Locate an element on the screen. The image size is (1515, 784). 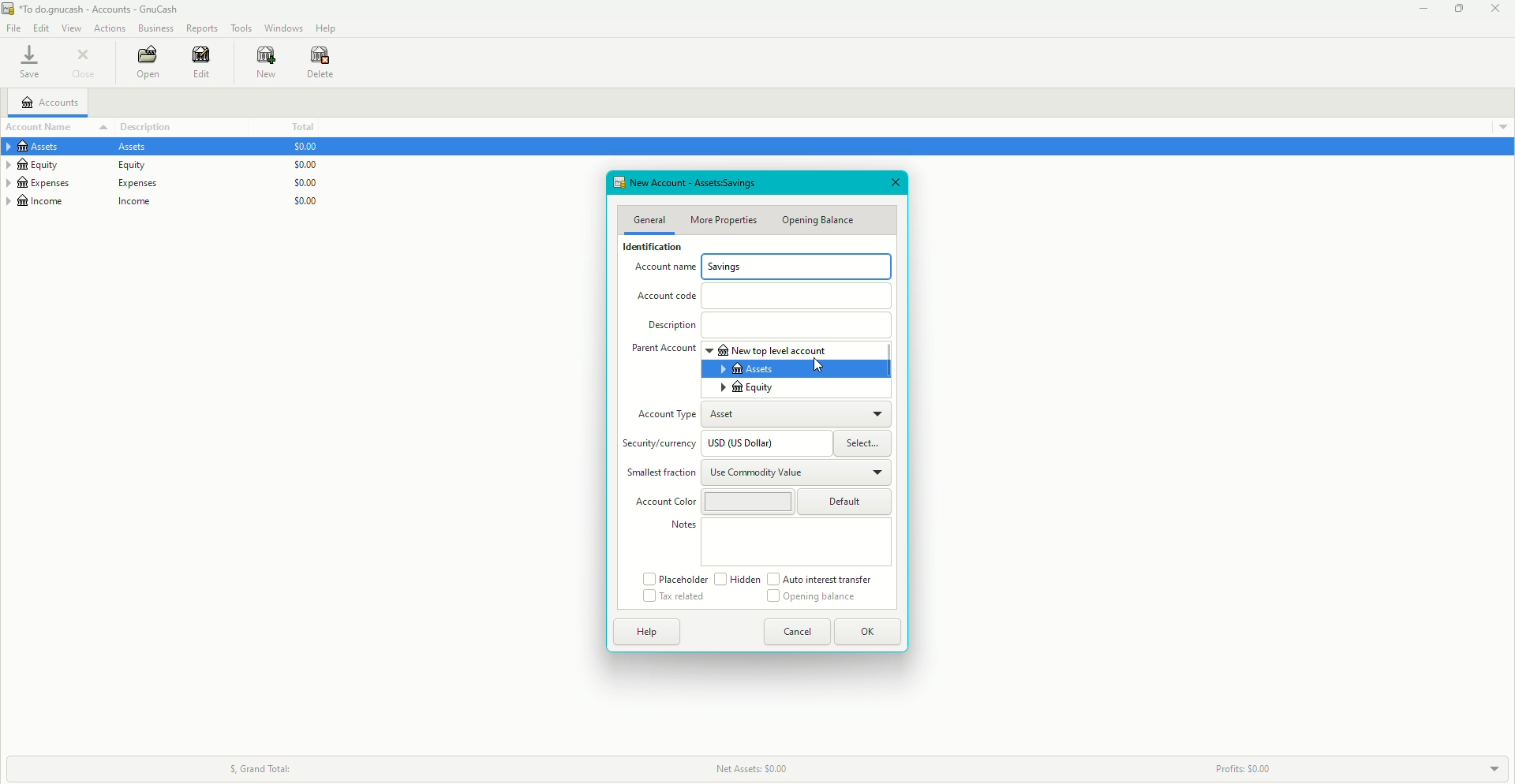
Use Commodity value is located at coordinates (757, 474).